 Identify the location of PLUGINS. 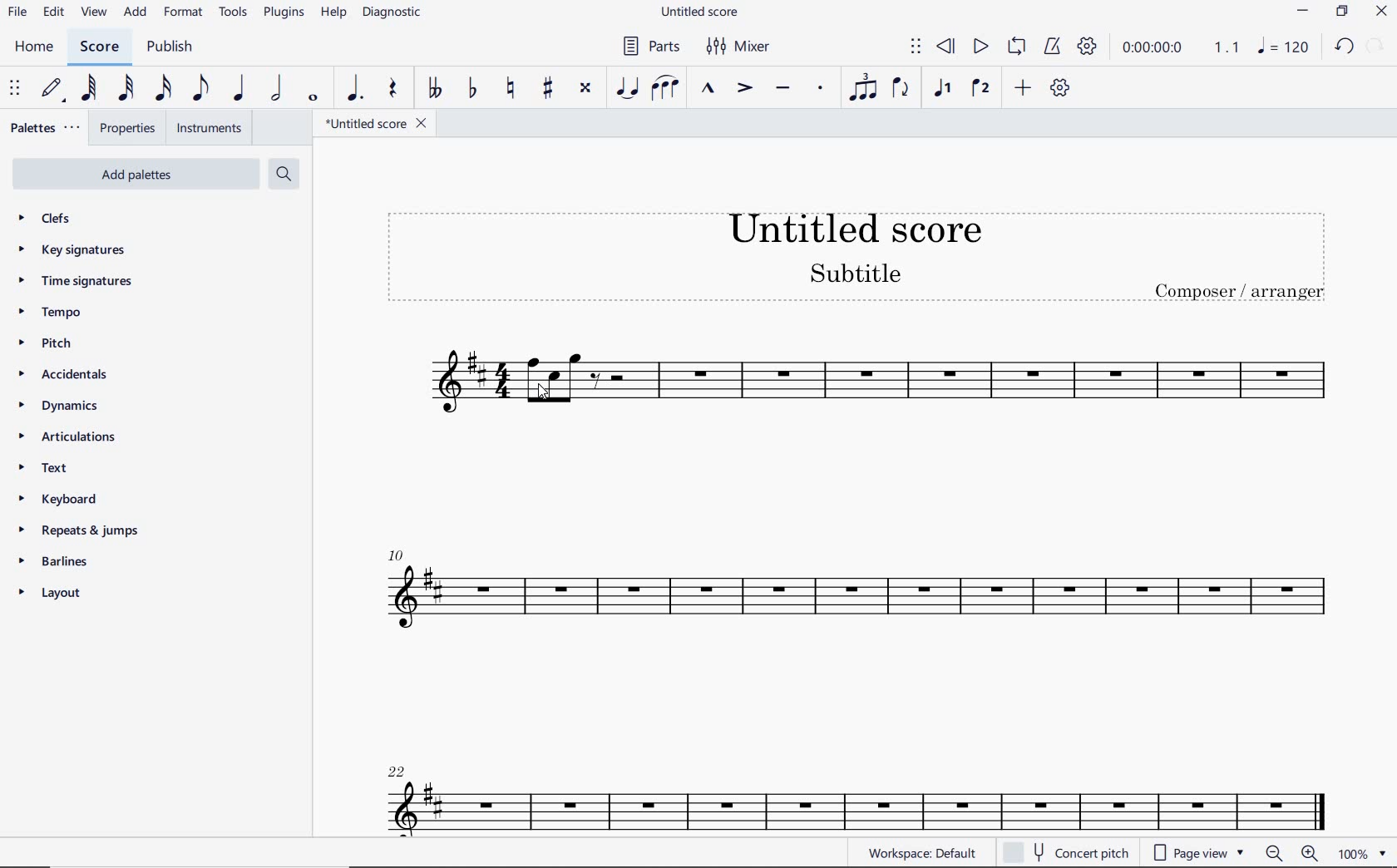
(284, 13).